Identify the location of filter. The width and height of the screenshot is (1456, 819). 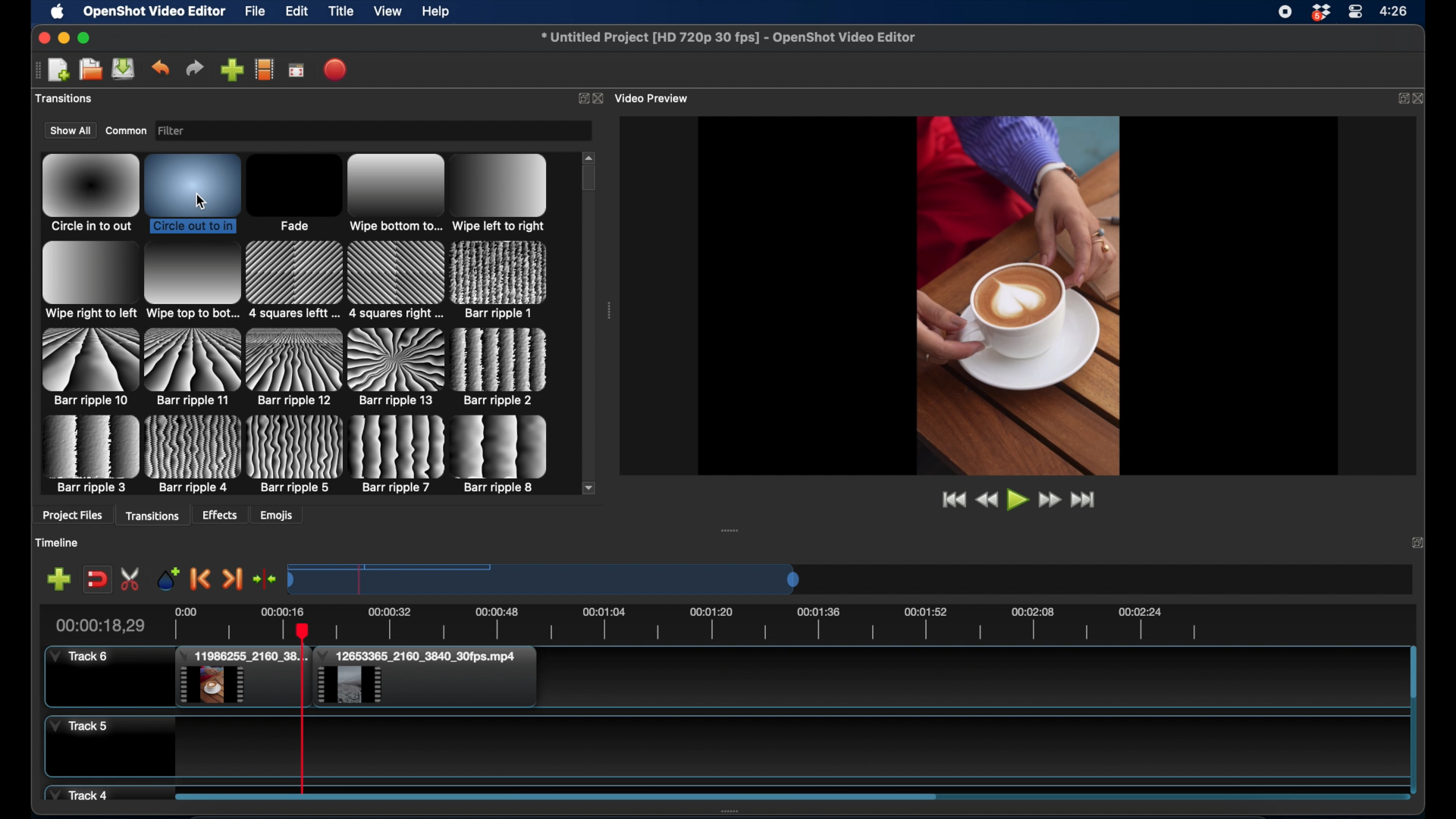
(196, 131).